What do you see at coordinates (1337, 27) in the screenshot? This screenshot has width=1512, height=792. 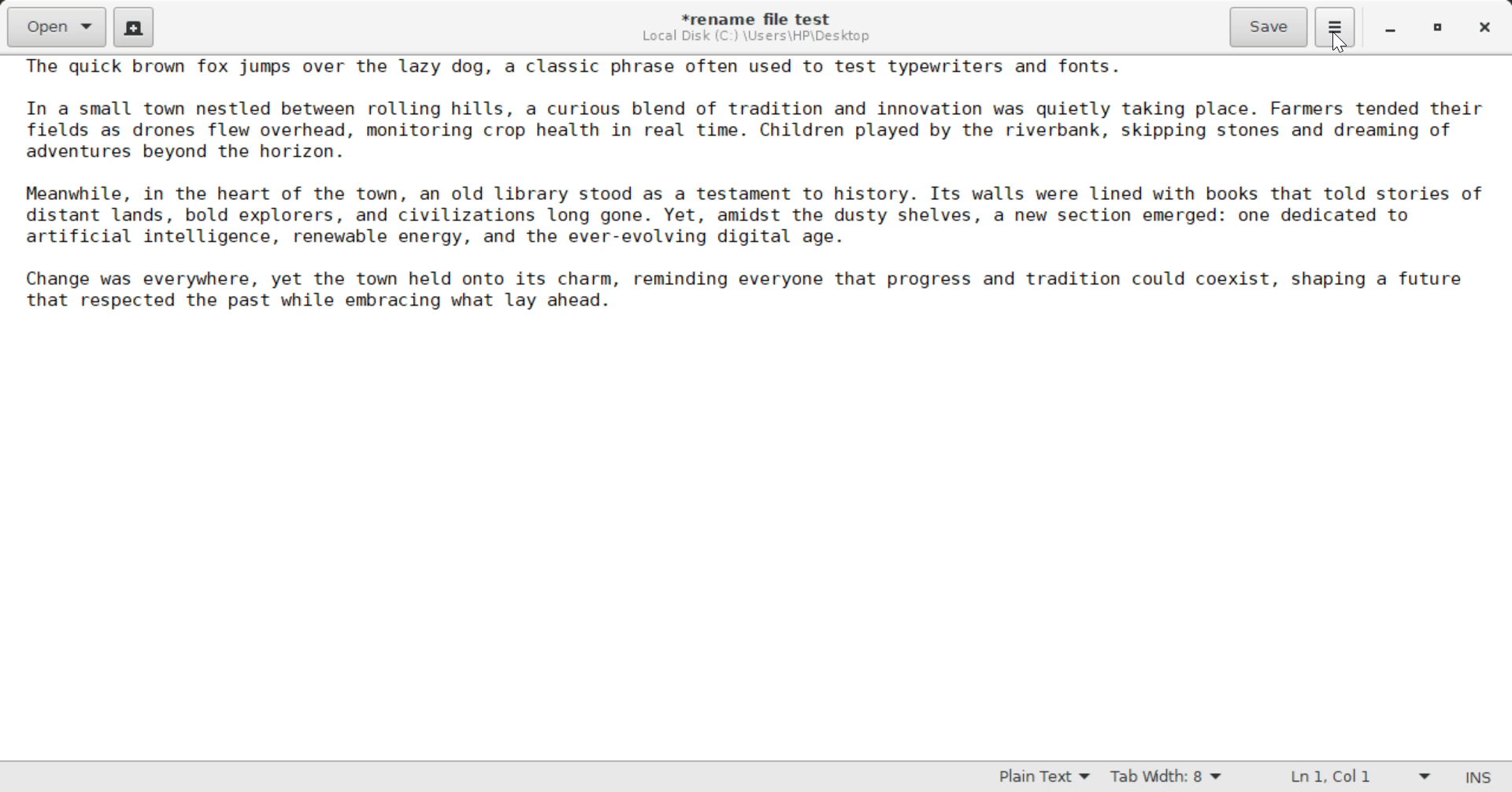 I see `Menu` at bounding box center [1337, 27].